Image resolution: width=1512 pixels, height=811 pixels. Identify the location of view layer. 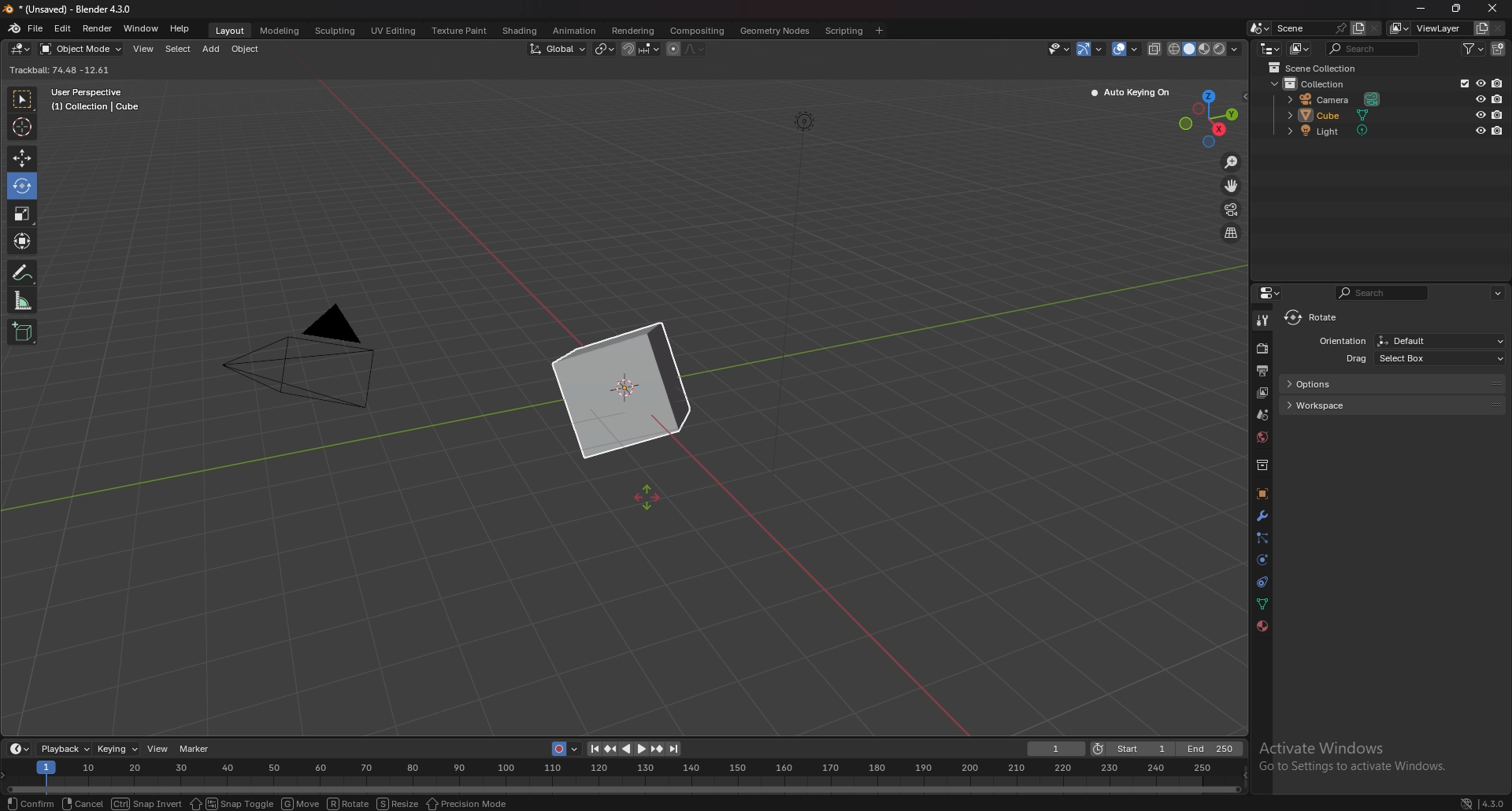
(1429, 28).